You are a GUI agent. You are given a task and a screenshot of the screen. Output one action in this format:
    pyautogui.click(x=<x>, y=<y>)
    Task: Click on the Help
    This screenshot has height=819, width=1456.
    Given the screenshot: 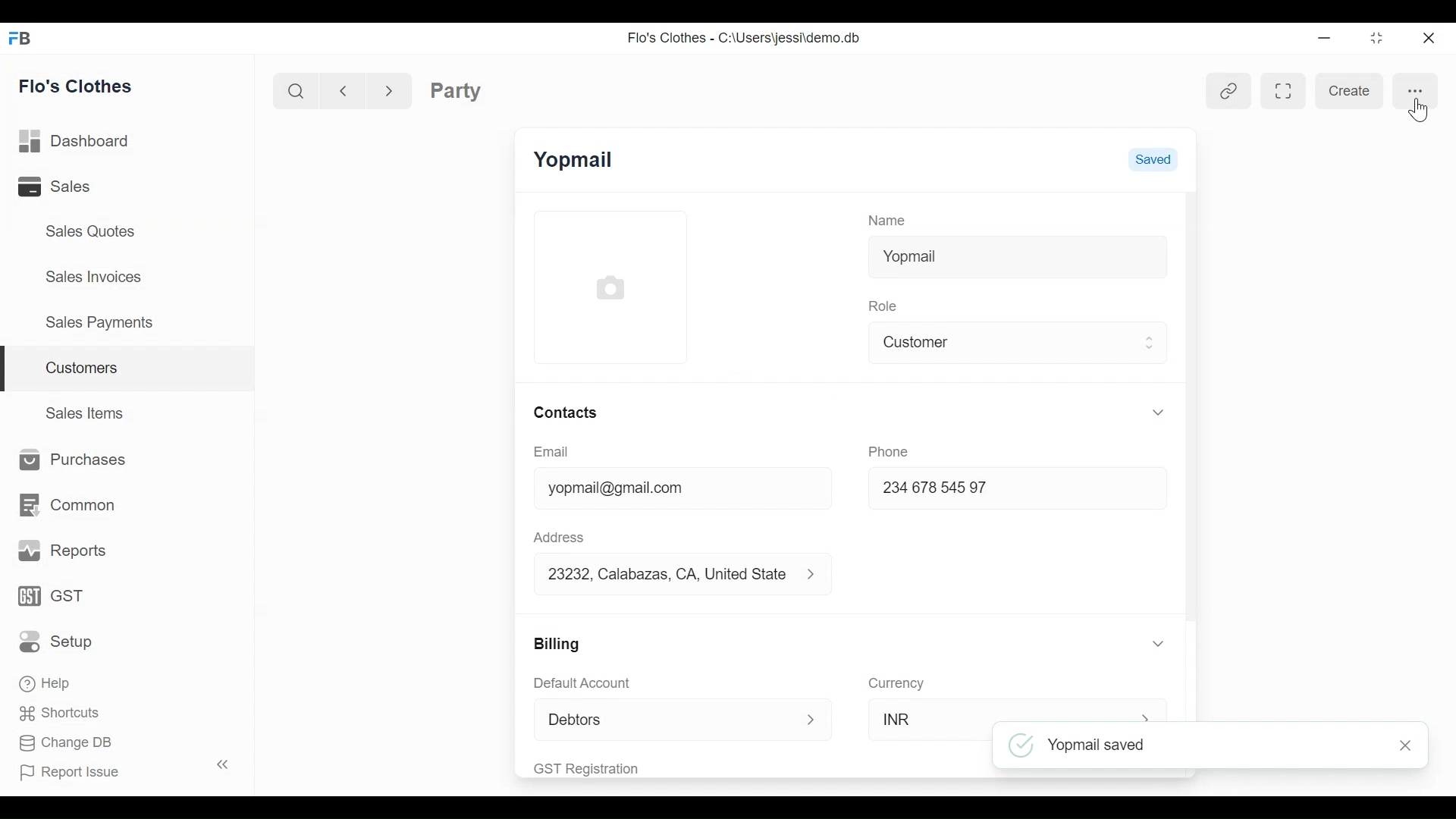 What is the action you would take?
    pyautogui.click(x=47, y=681)
    